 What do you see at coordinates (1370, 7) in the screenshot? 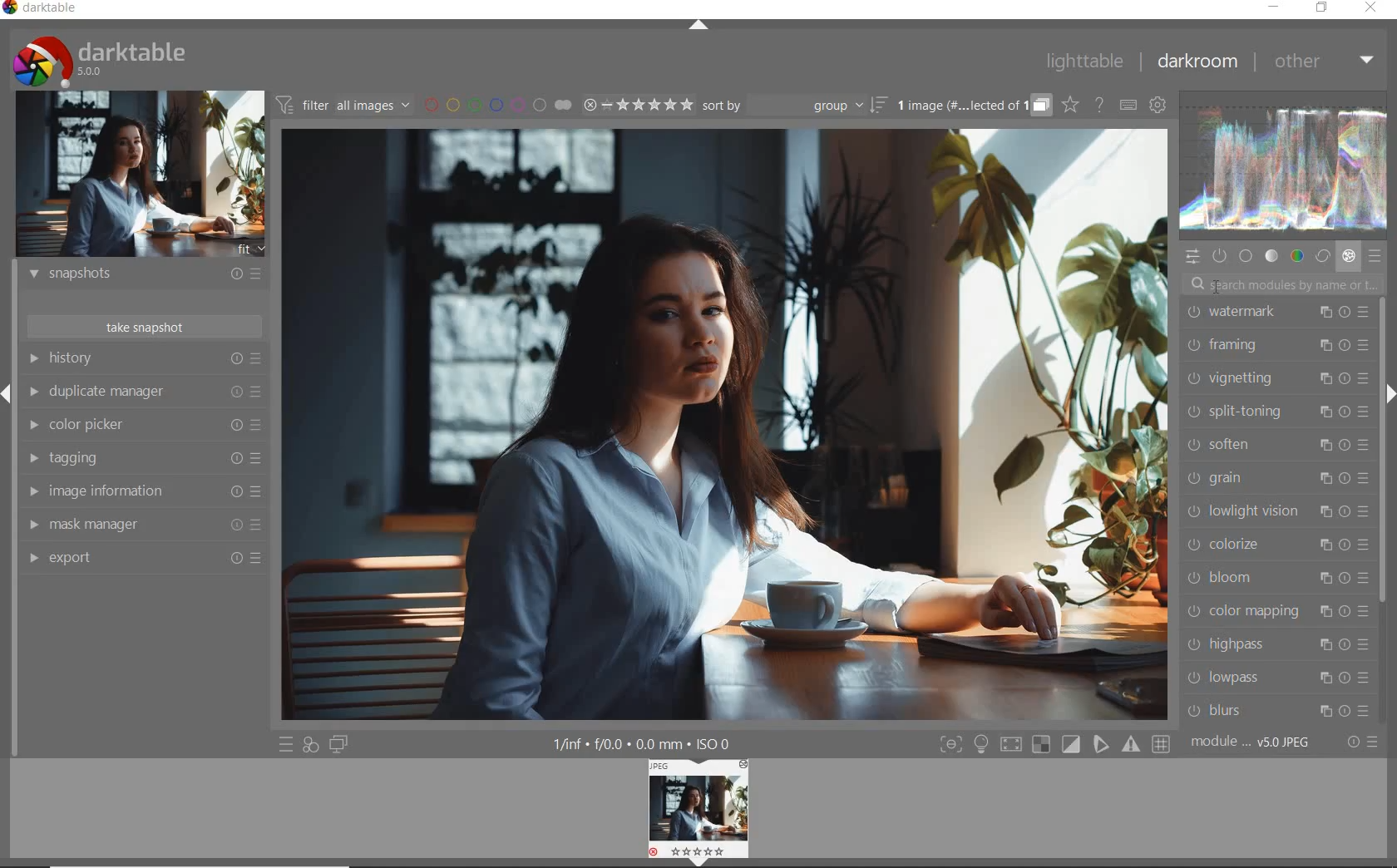
I see `close` at bounding box center [1370, 7].